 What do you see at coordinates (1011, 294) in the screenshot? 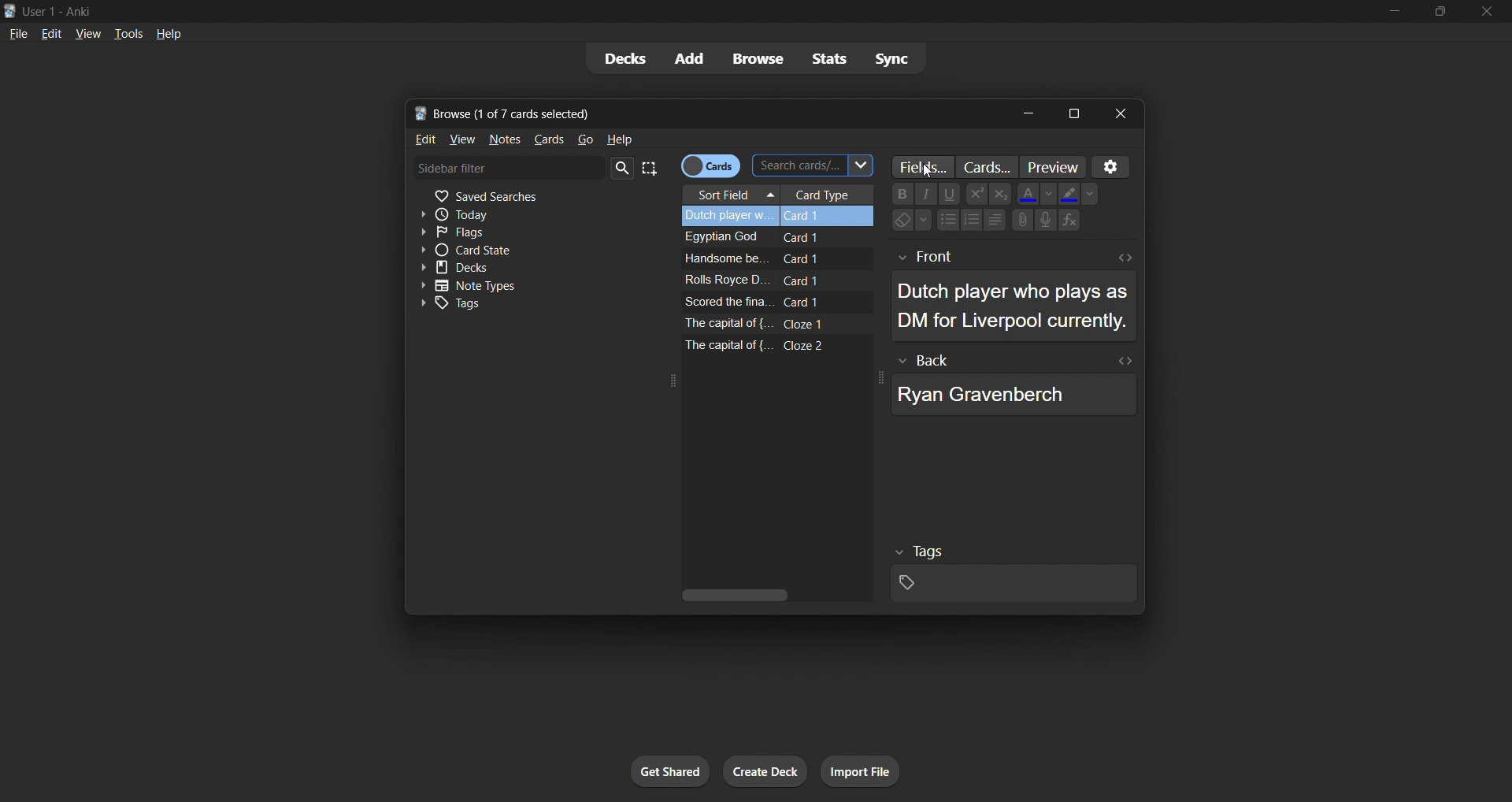
I see `selected card front data` at bounding box center [1011, 294].